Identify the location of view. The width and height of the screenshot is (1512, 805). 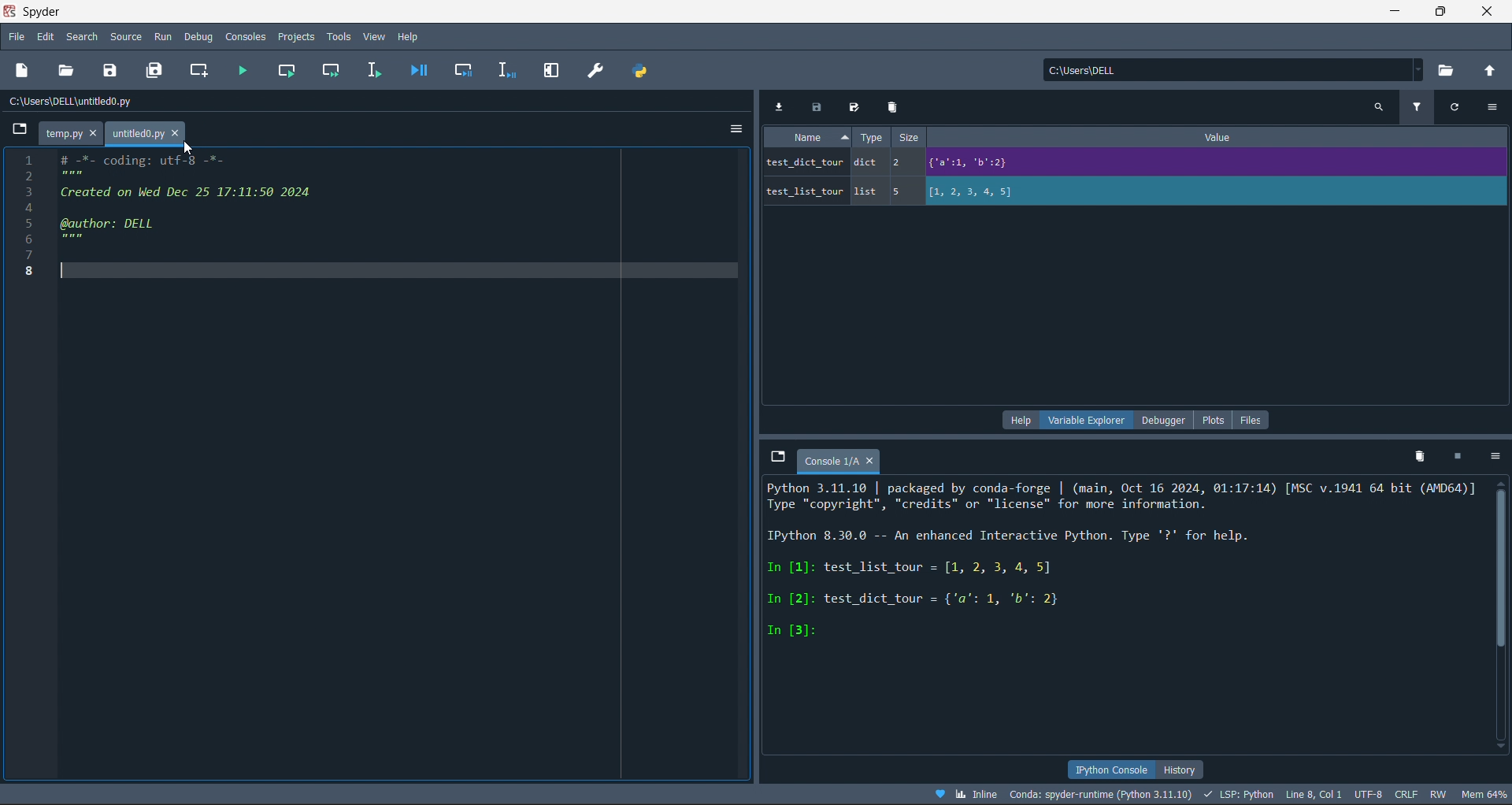
(376, 36).